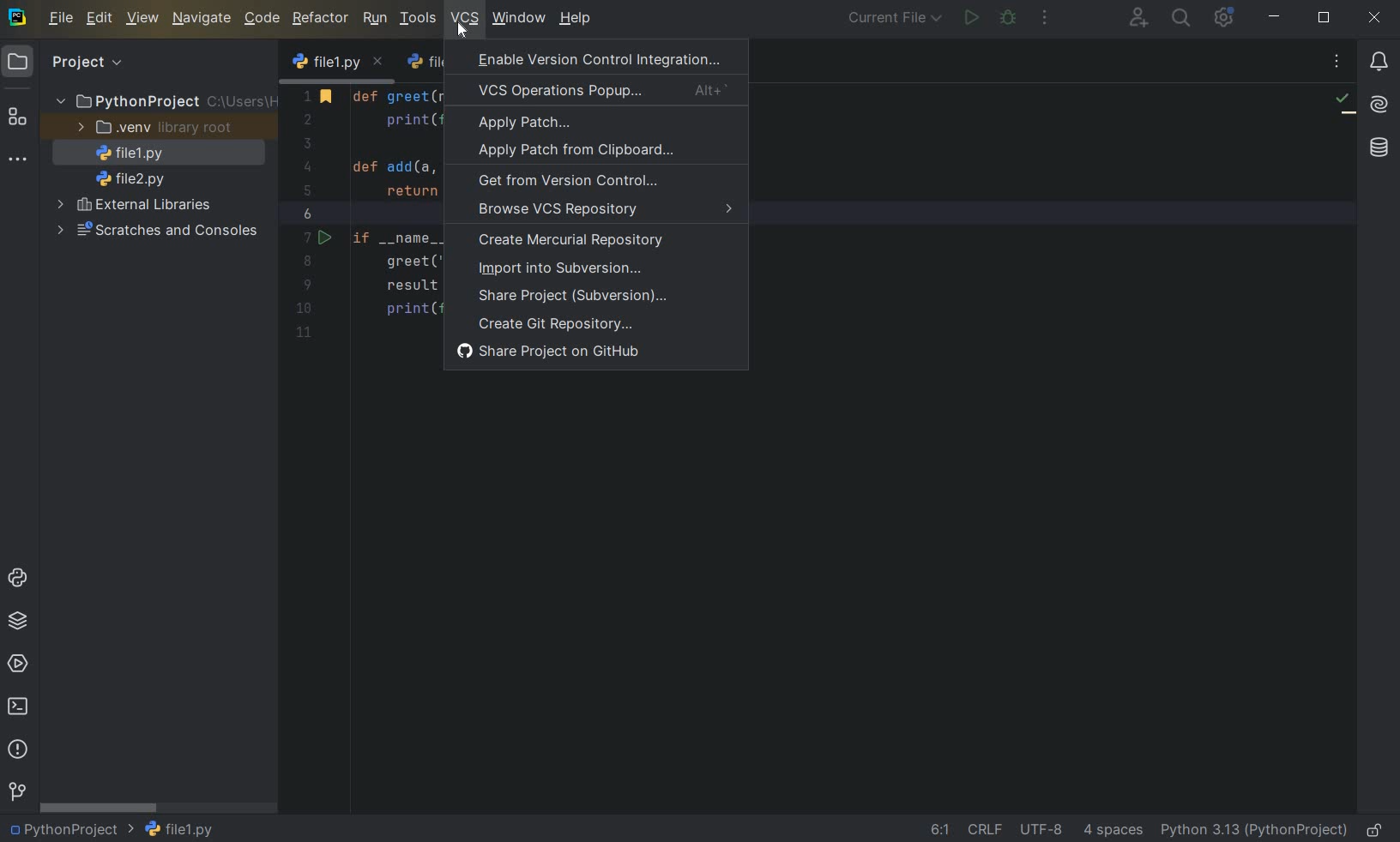 The image size is (1400, 842). What do you see at coordinates (1275, 18) in the screenshot?
I see `minimize` at bounding box center [1275, 18].